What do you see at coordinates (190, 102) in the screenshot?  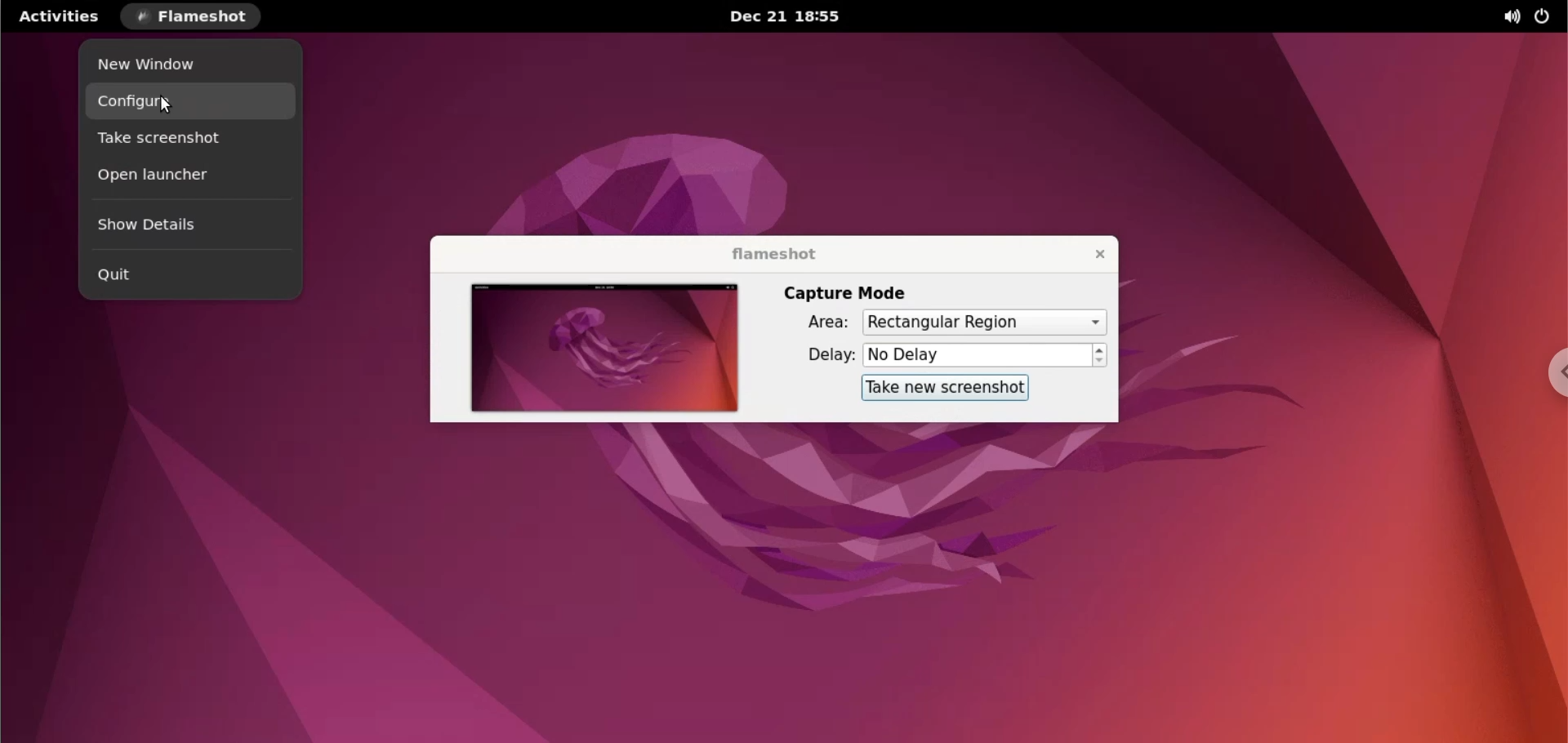 I see `configure` at bounding box center [190, 102].